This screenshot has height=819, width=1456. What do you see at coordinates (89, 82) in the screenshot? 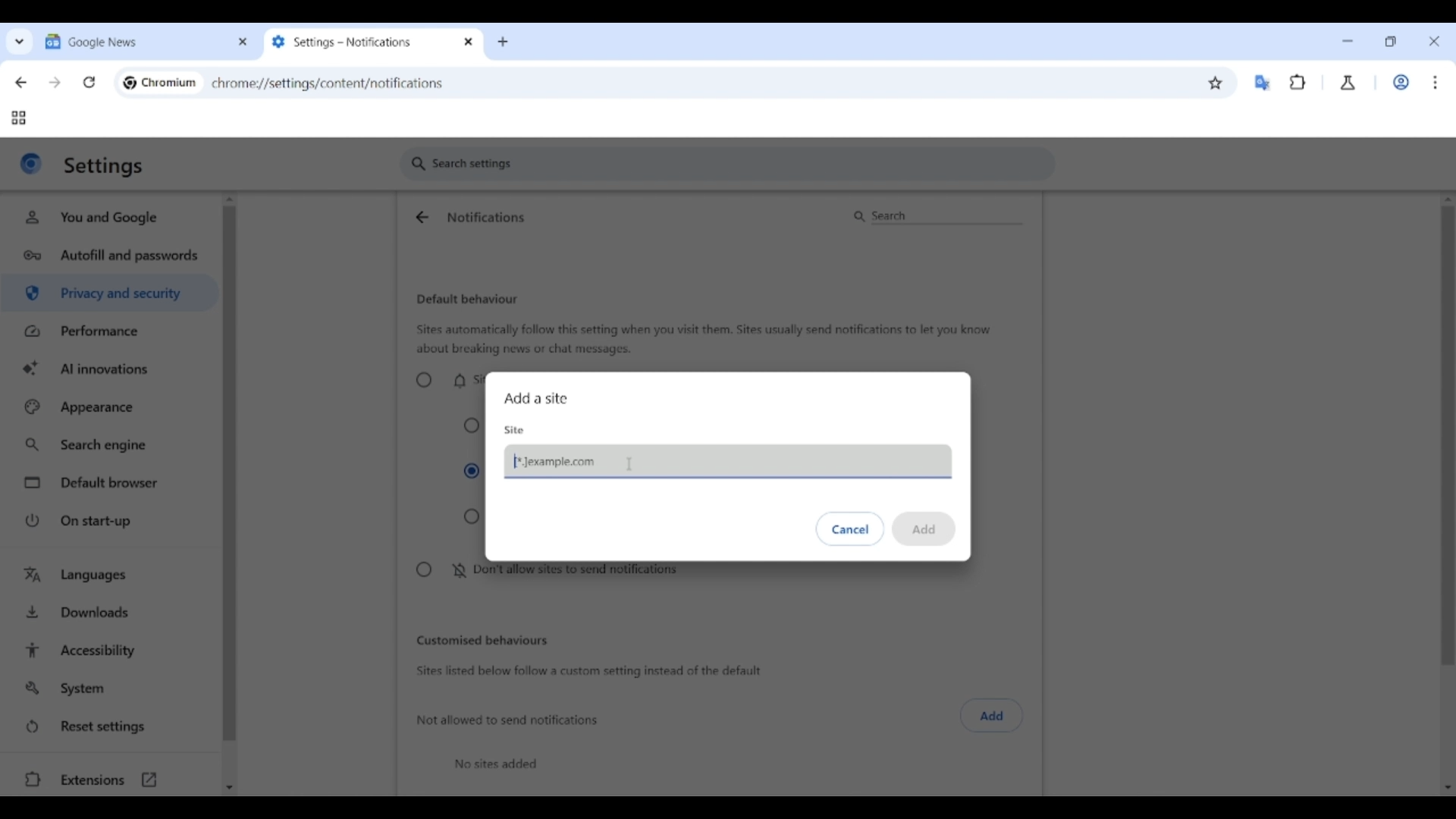
I see `Reload page` at bounding box center [89, 82].